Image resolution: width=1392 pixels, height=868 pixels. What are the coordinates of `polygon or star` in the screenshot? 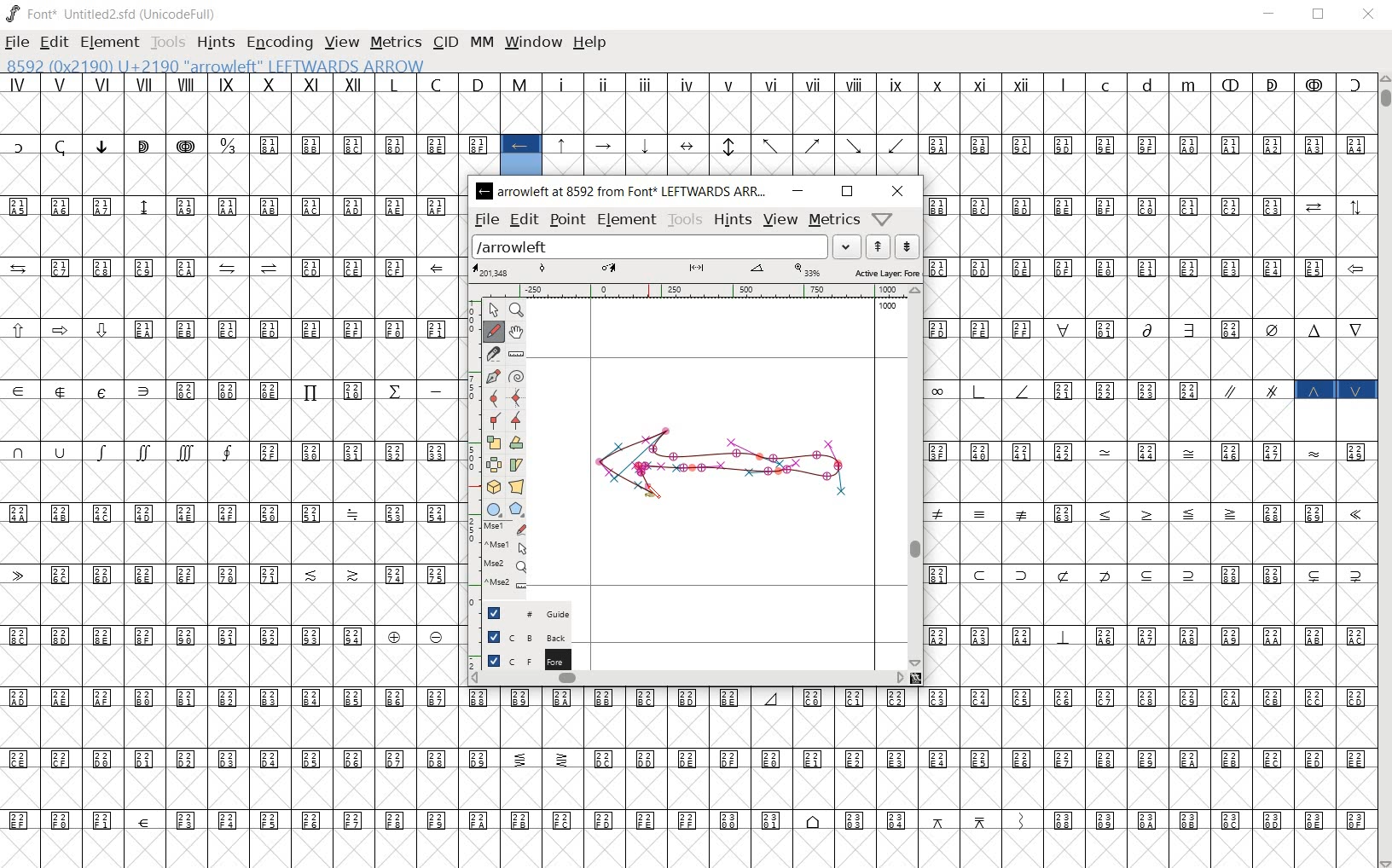 It's located at (516, 510).